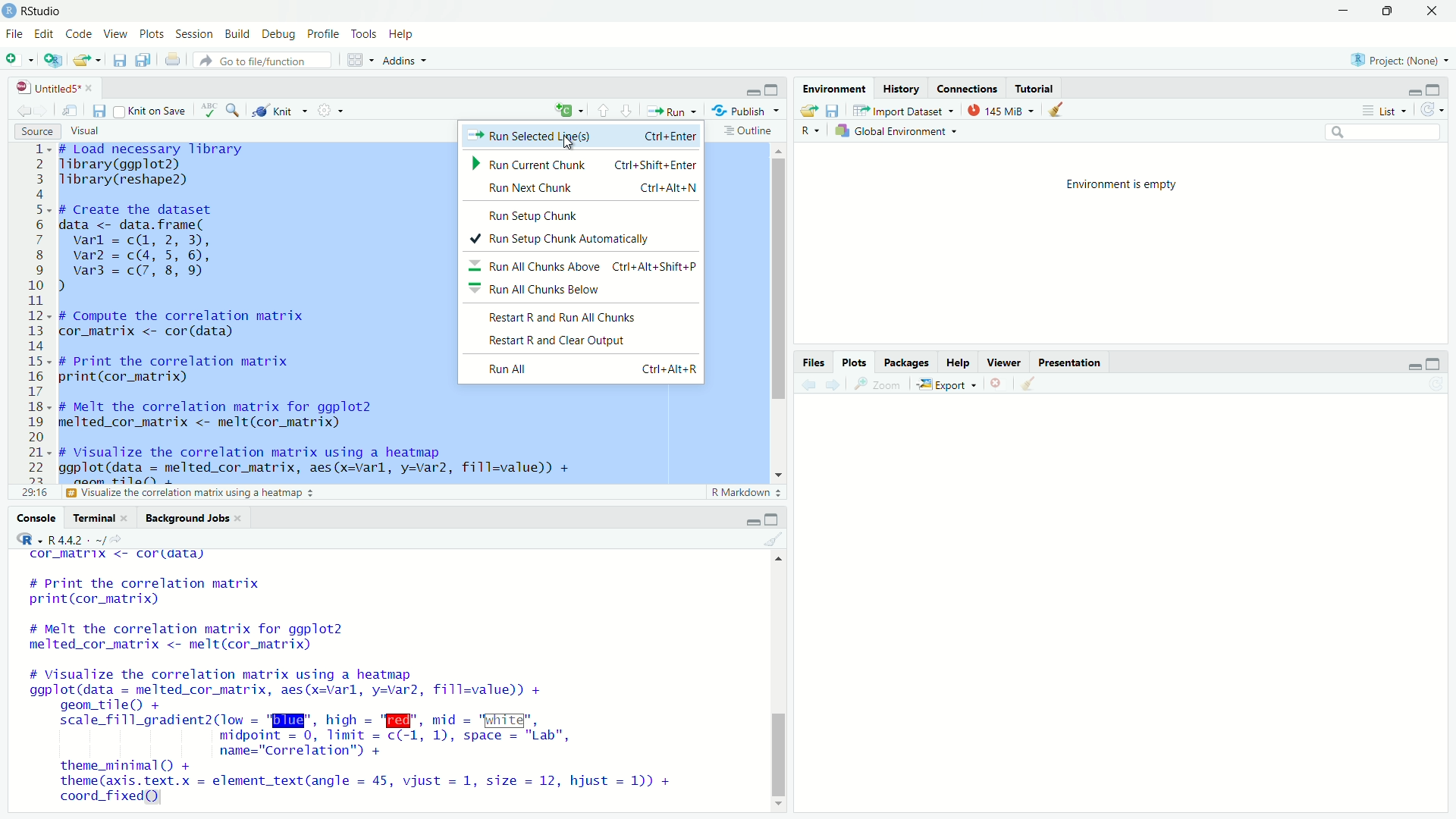 The image size is (1456, 819). What do you see at coordinates (1031, 383) in the screenshot?
I see `clear plots` at bounding box center [1031, 383].